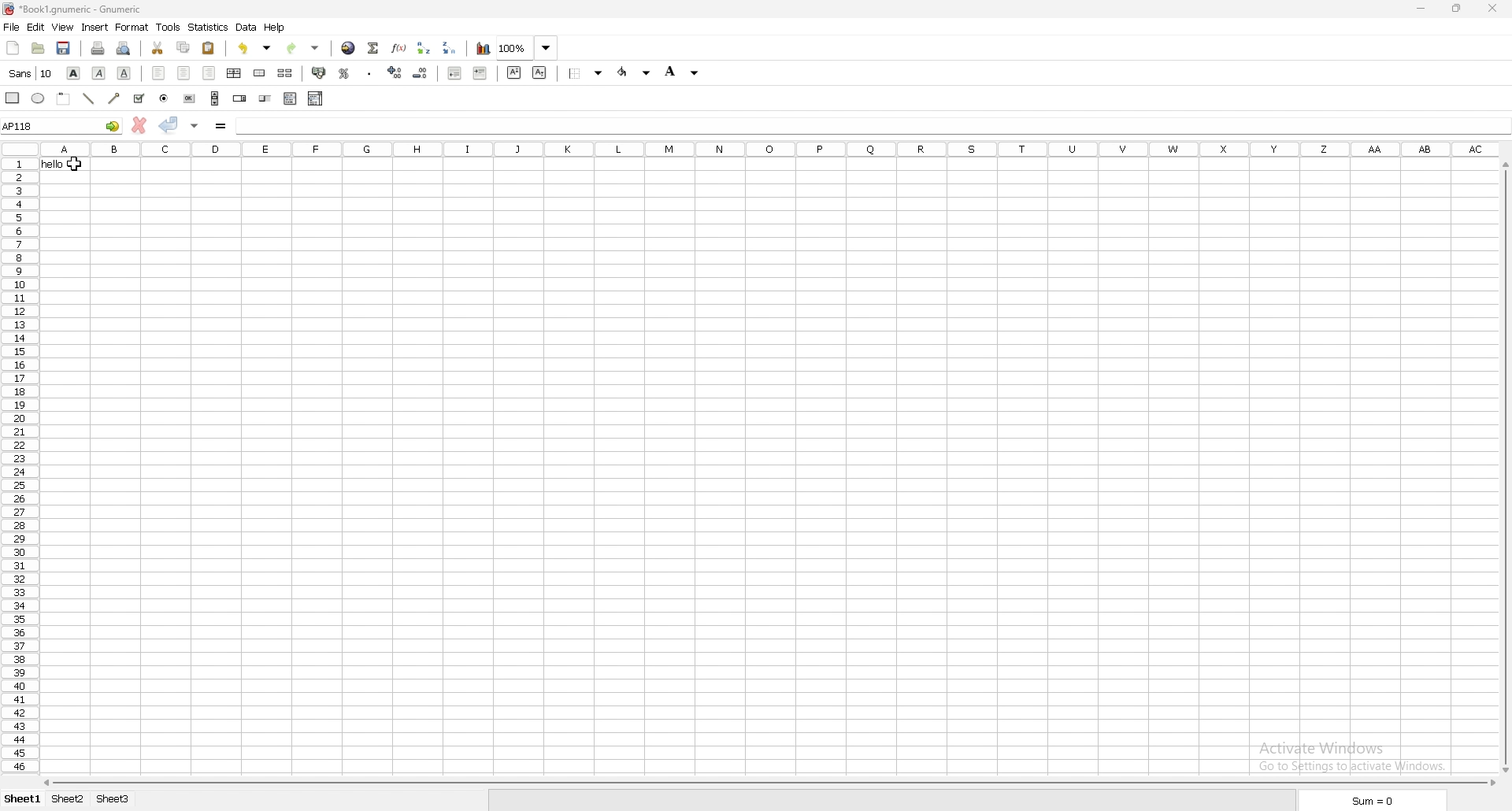 The image size is (1512, 811). What do you see at coordinates (157, 49) in the screenshot?
I see `cut` at bounding box center [157, 49].